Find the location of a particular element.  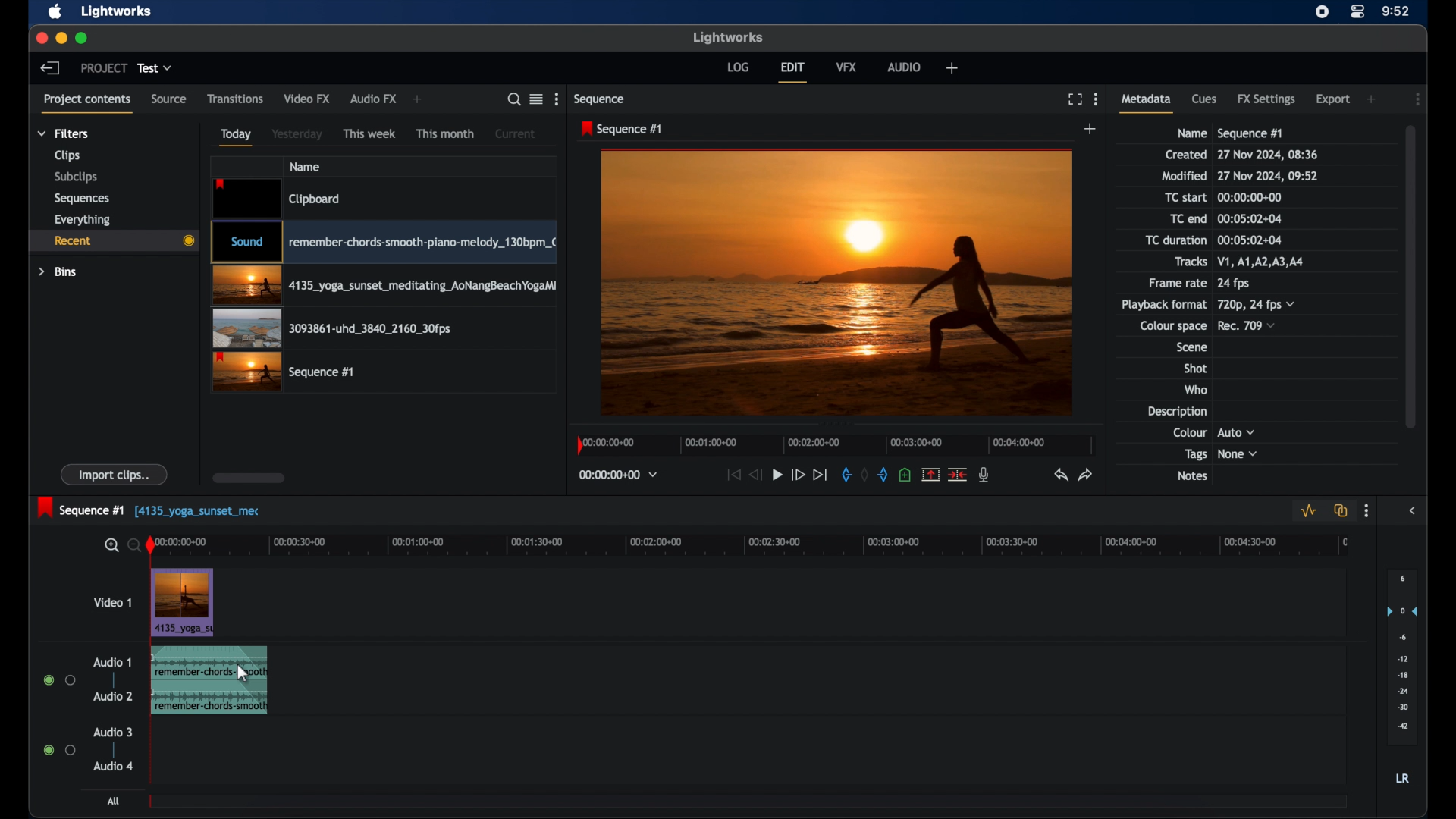

zoom in is located at coordinates (110, 546).